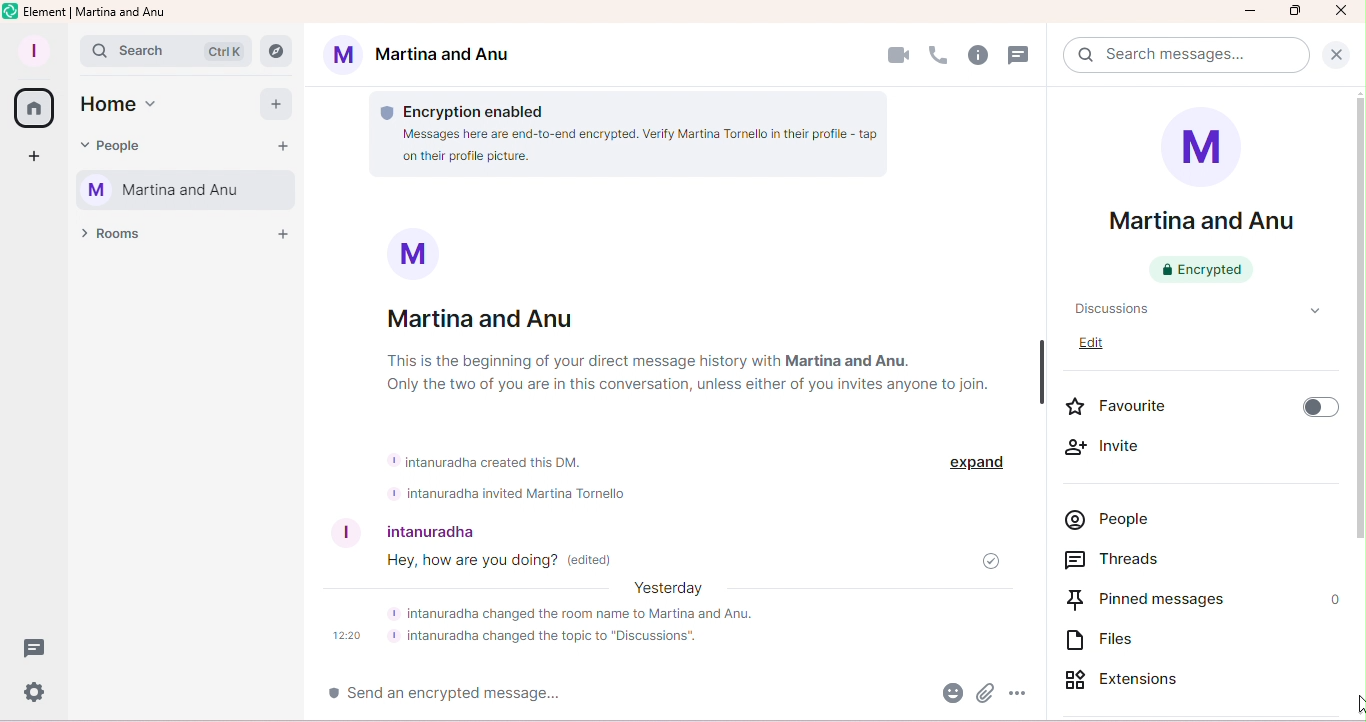 The height and width of the screenshot is (722, 1366). Describe the element at coordinates (973, 463) in the screenshot. I see `expand` at that location.